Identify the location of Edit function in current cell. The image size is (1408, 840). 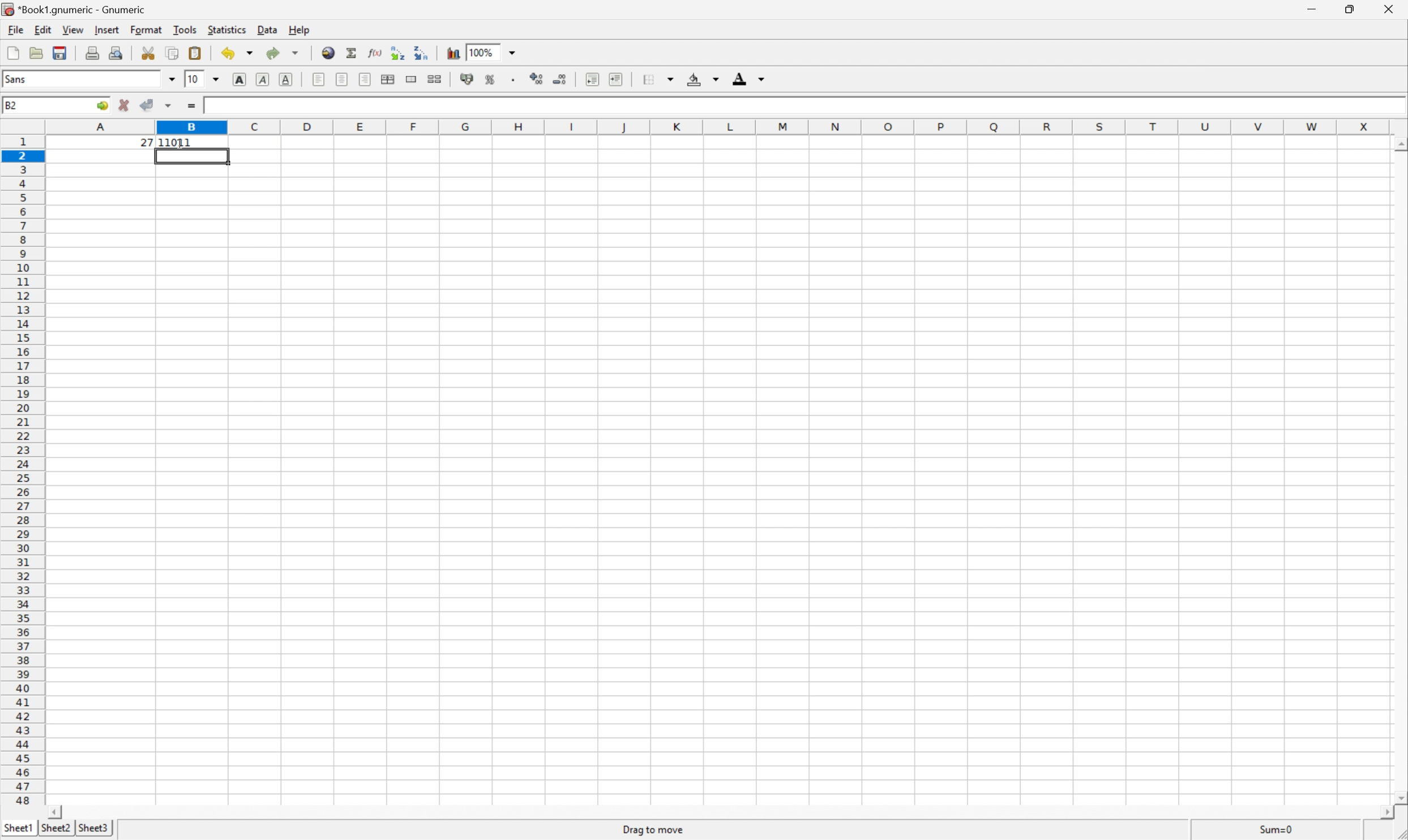
(376, 52).